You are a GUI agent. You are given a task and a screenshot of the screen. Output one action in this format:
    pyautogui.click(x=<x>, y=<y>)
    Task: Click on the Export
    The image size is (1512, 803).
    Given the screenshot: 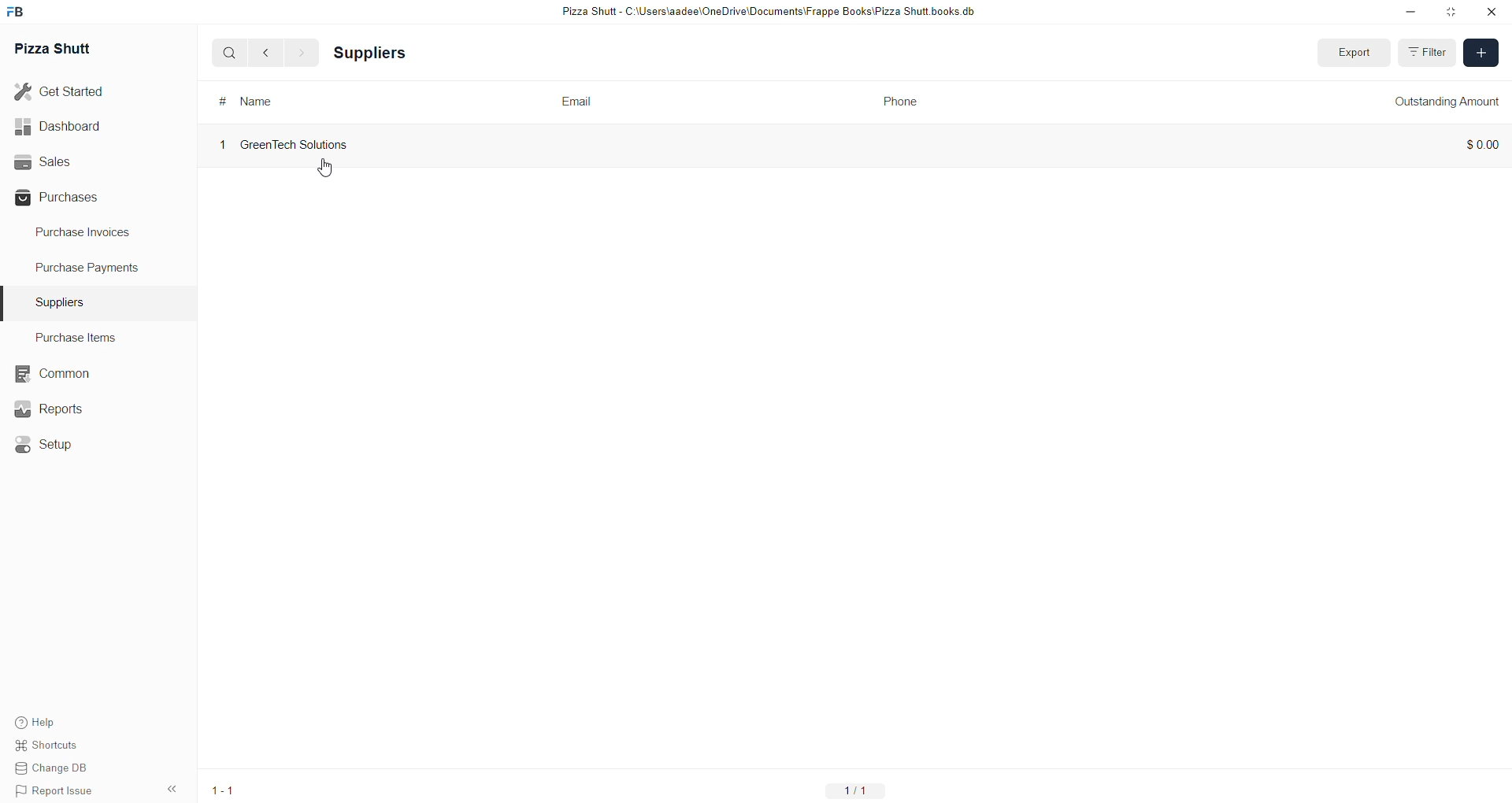 What is the action you would take?
    pyautogui.click(x=1352, y=54)
    